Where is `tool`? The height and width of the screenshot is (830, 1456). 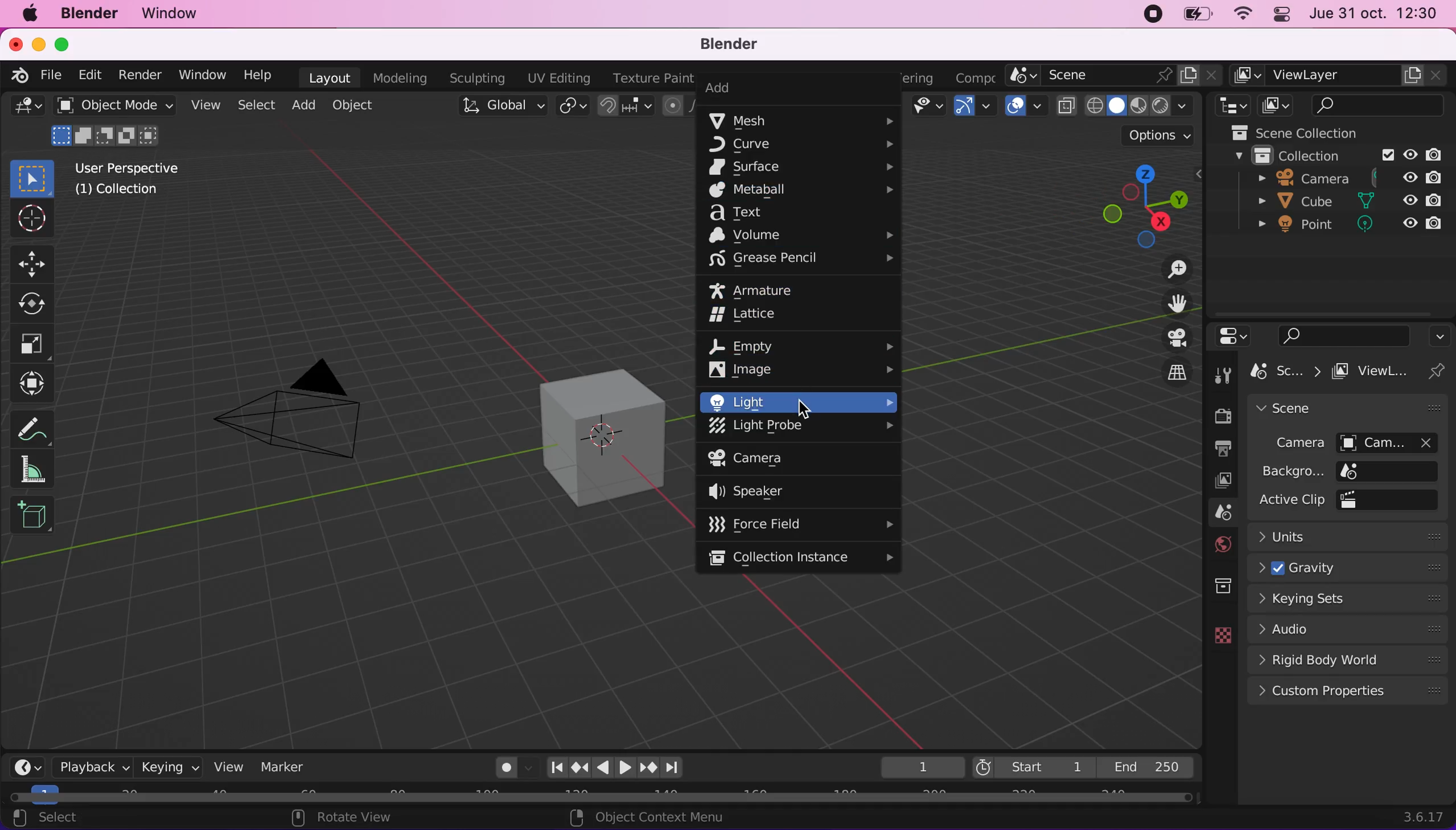 tool is located at coordinates (1222, 376).